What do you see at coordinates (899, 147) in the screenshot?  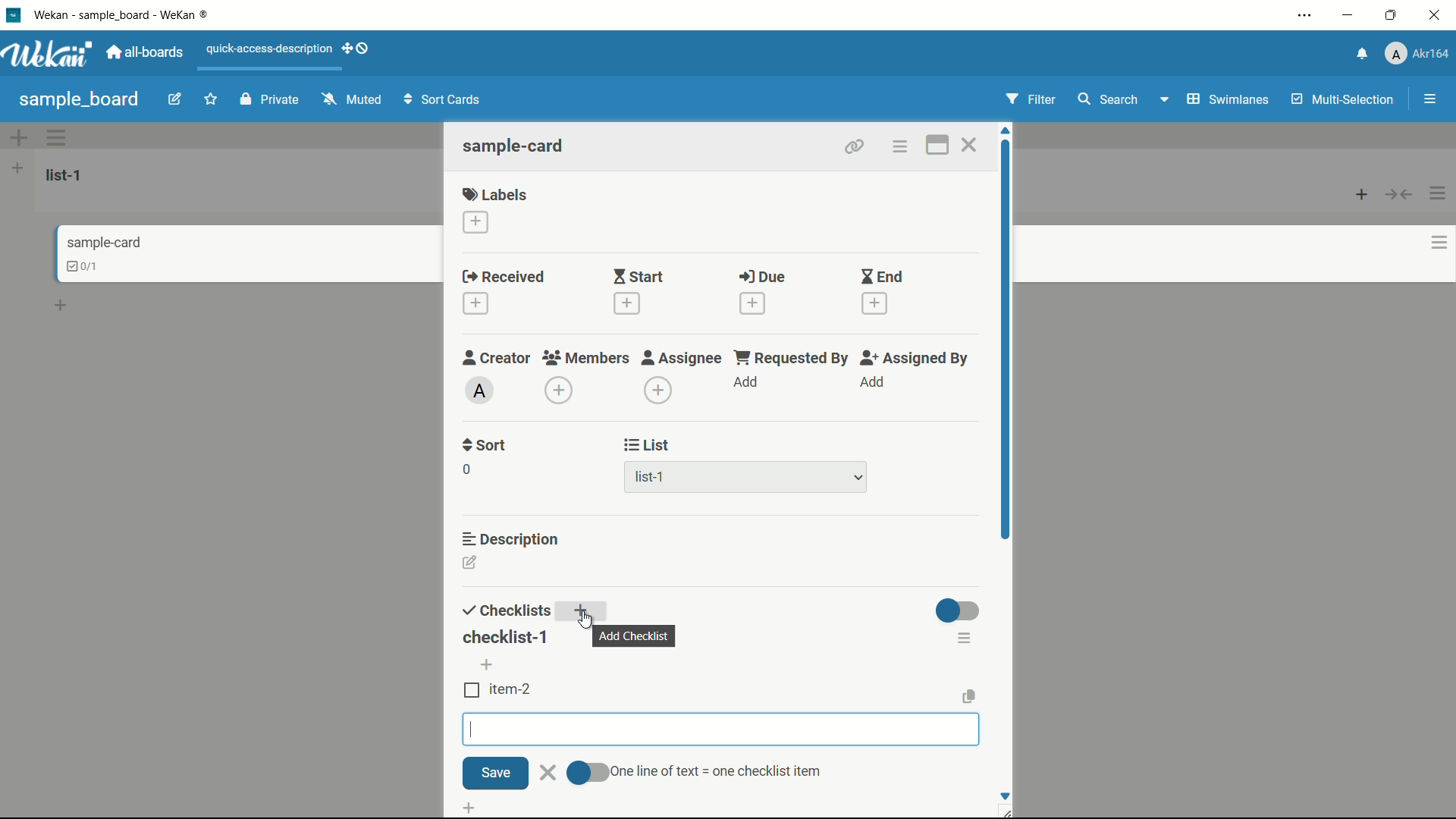 I see `card actions` at bounding box center [899, 147].